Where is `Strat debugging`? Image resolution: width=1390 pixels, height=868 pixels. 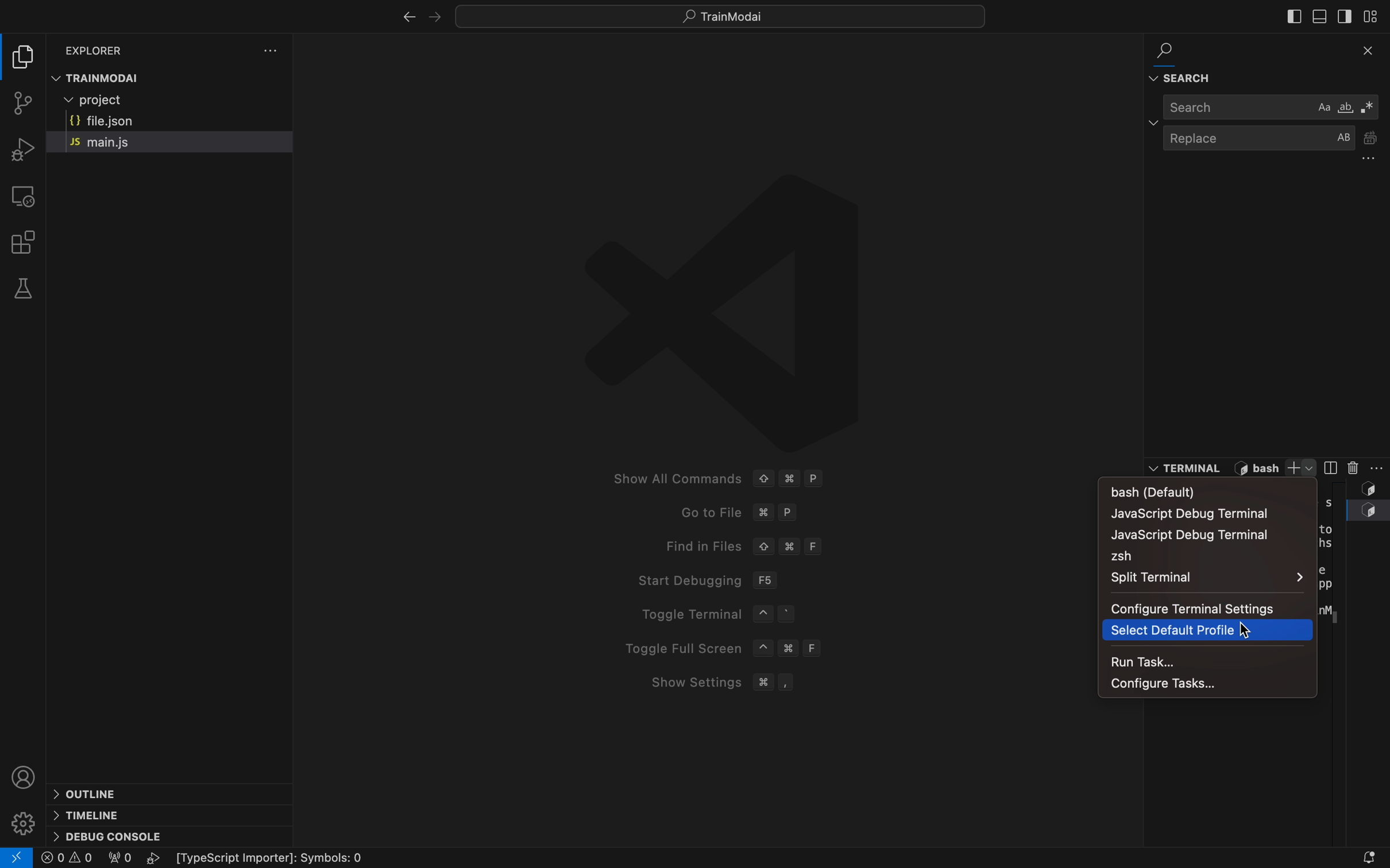
Strat debugging is located at coordinates (773, 580).